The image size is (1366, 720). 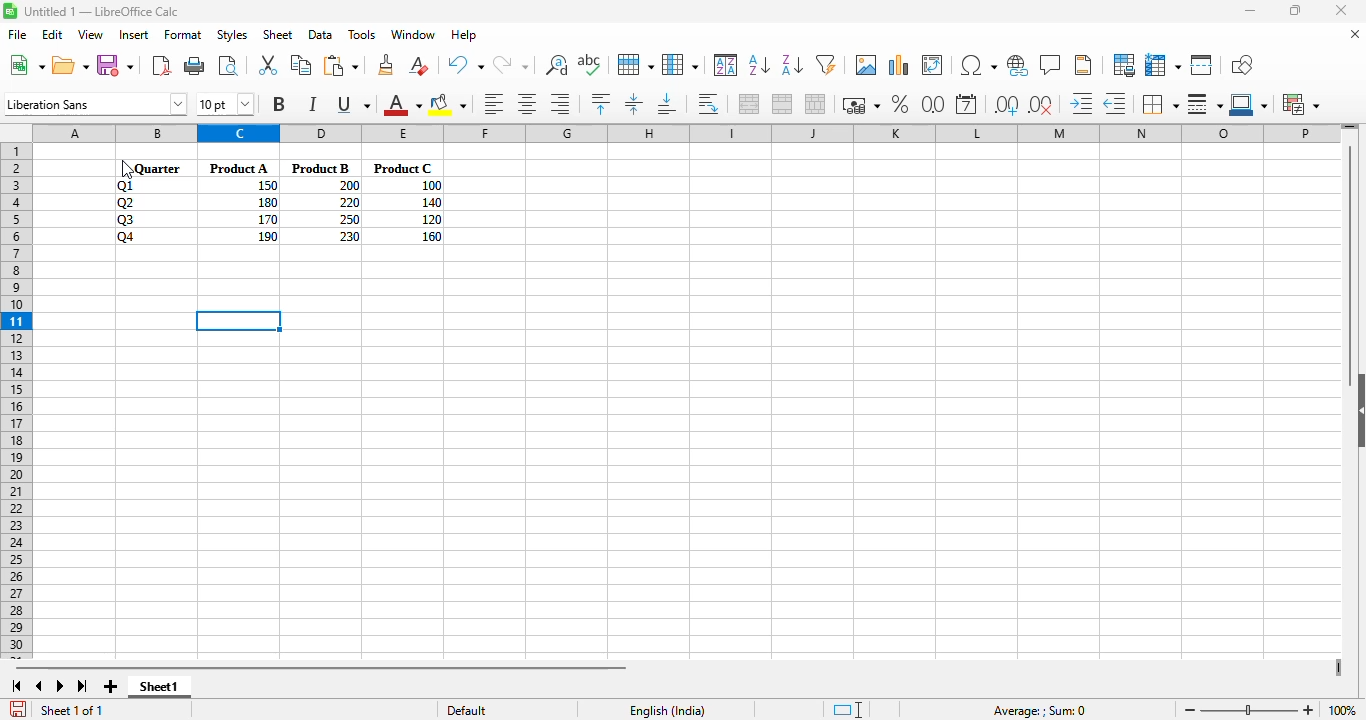 I want to click on 200, so click(x=349, y=185).